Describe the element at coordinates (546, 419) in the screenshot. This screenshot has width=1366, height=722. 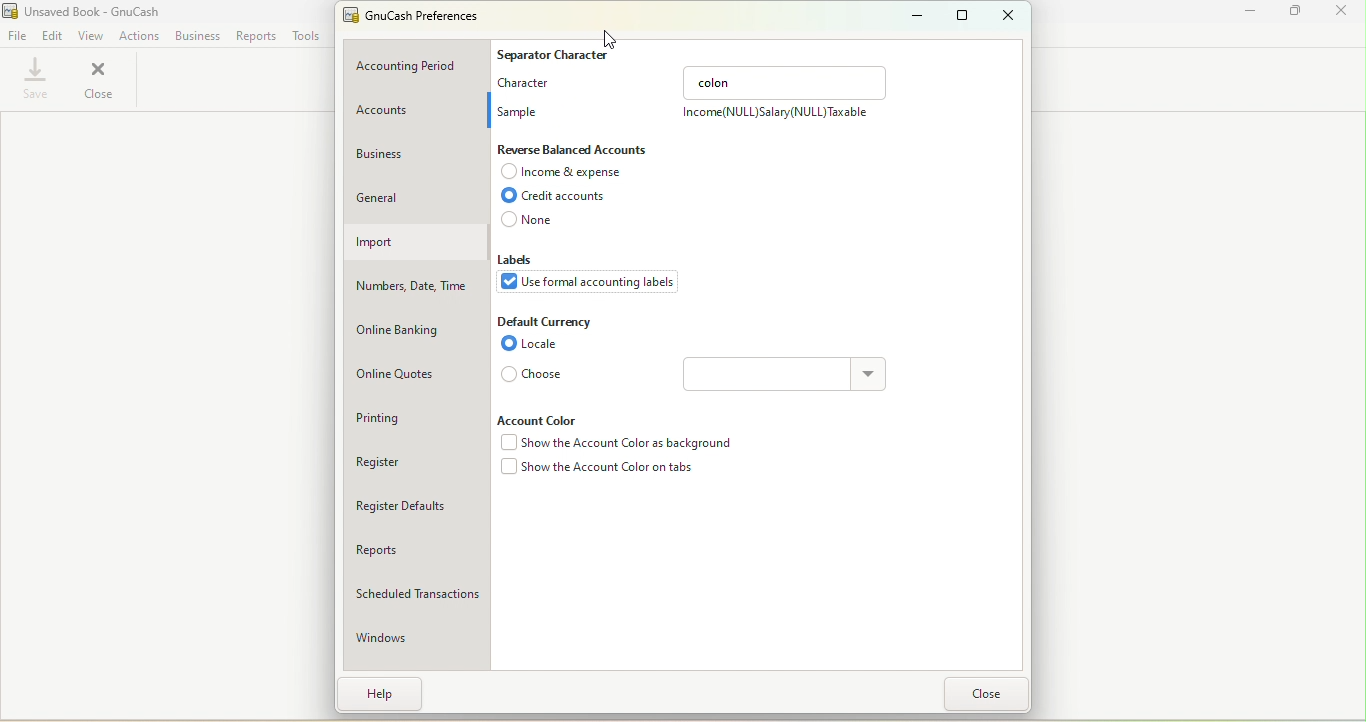
I see `Account color` at that location.